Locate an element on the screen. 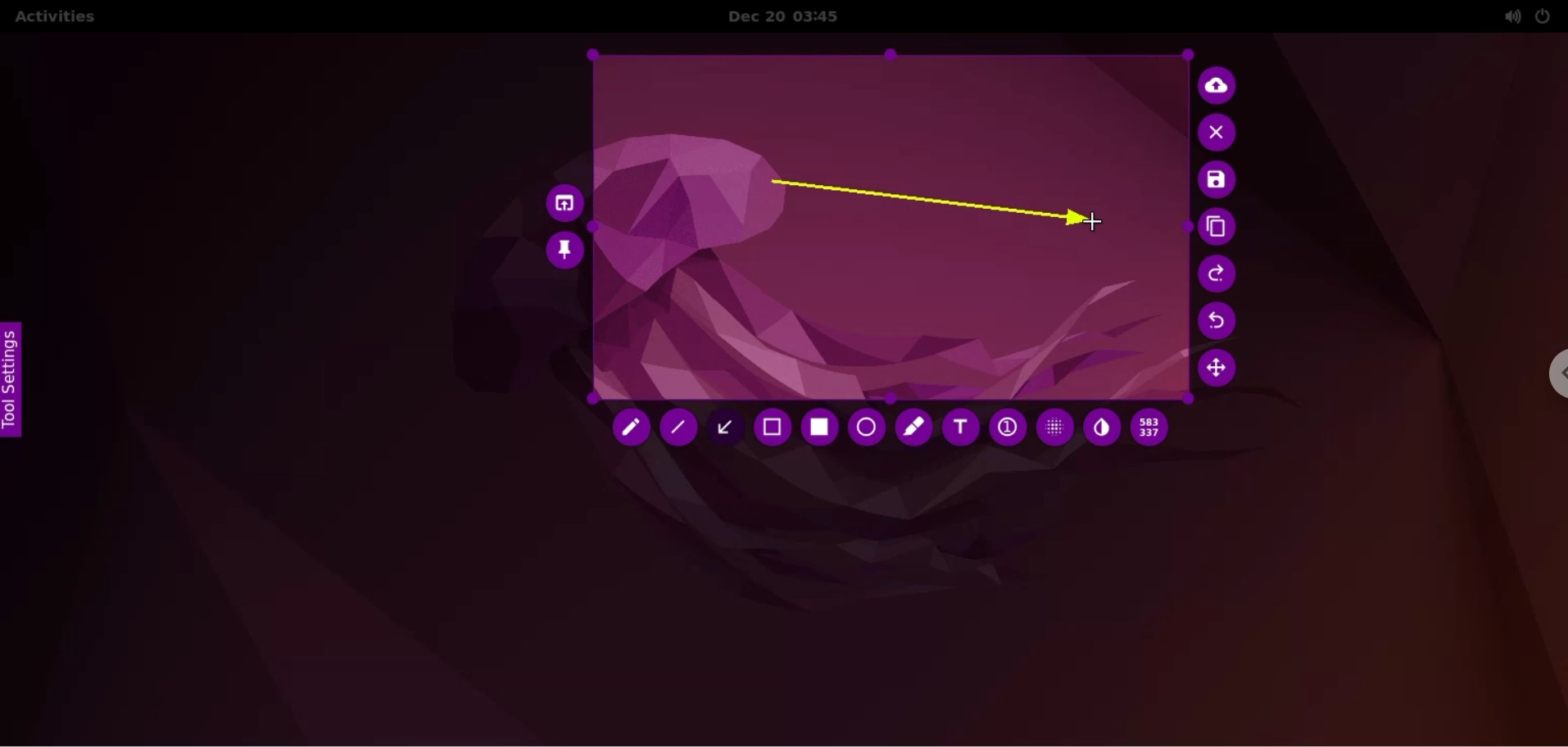 This screenshot has height=747, width=1568. cancel capture is located at coordinates (1220, 134).